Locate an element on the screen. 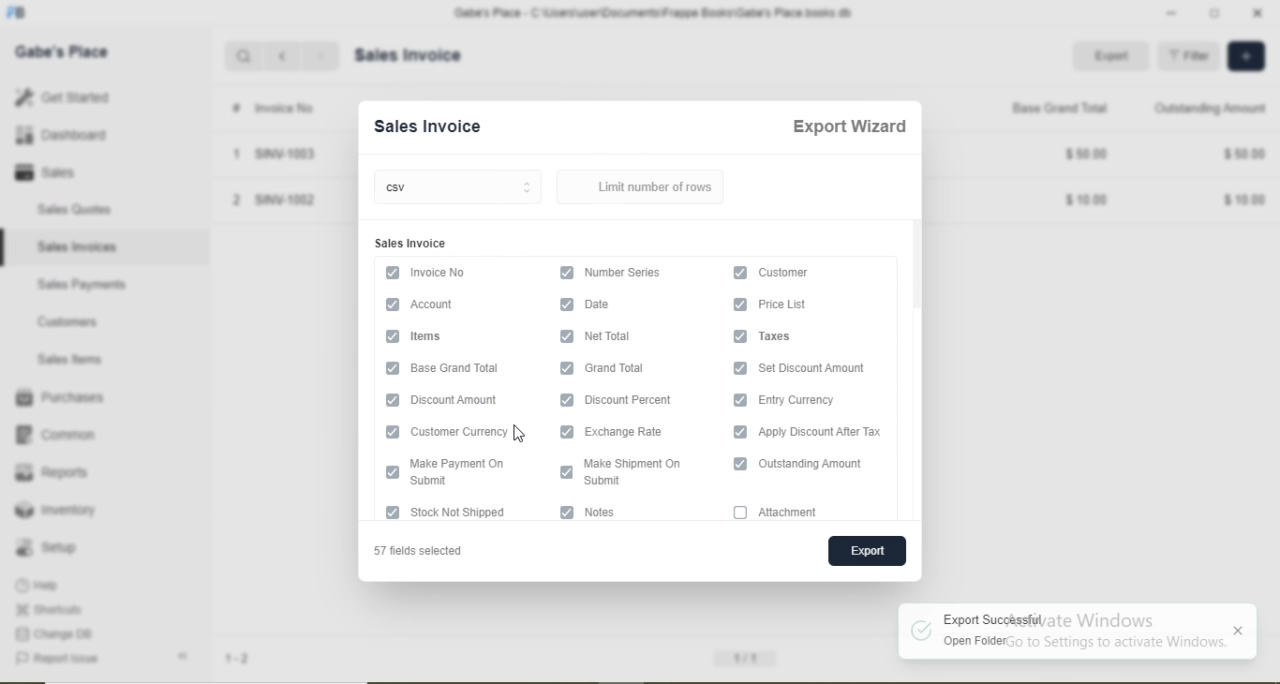 The image size is (1280, 684). # Invoice No is located at coordinates (267, 108).